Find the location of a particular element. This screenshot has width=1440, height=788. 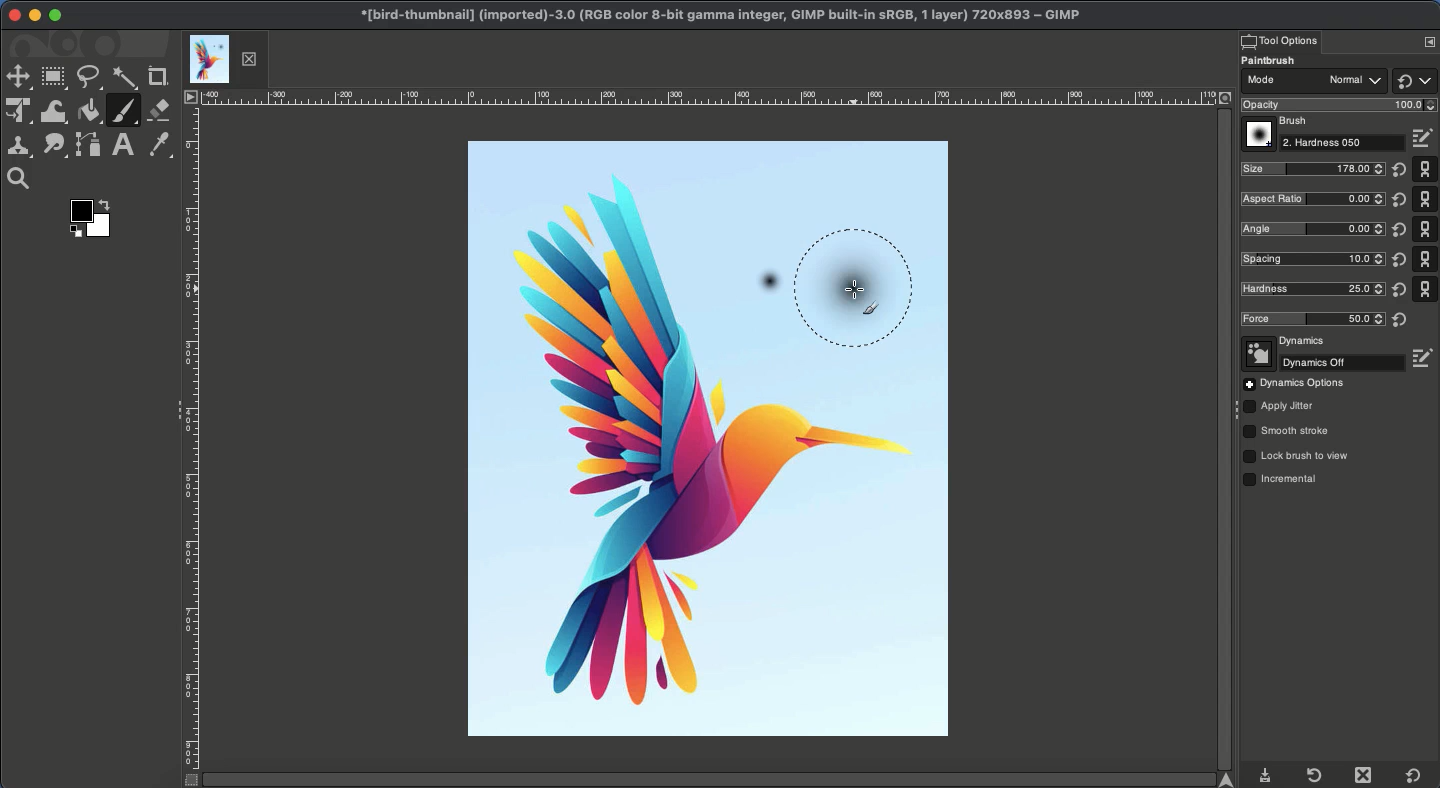

Default is located at coordinates (1414, 80).